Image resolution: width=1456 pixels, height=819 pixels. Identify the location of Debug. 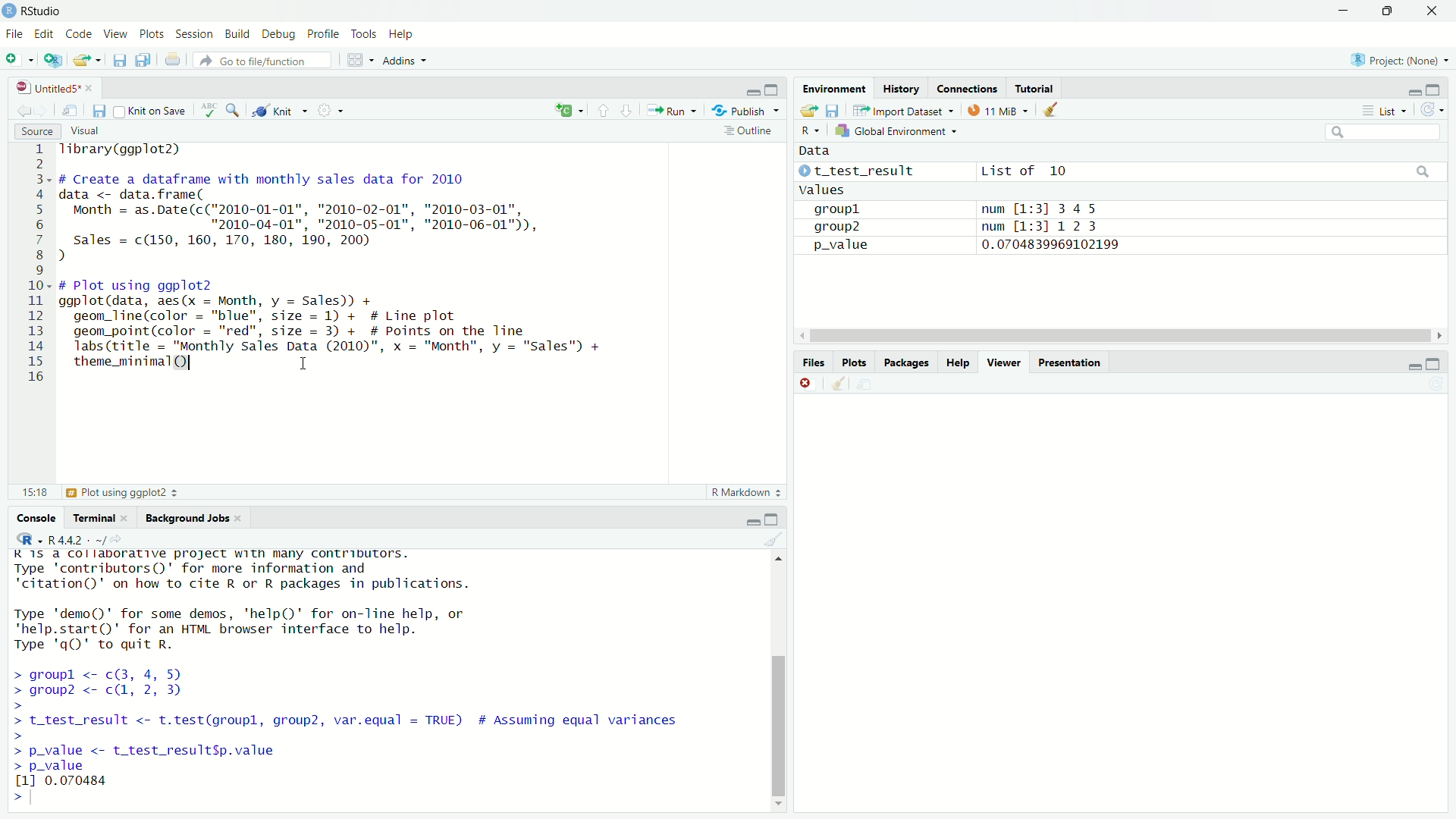
(277, 32).